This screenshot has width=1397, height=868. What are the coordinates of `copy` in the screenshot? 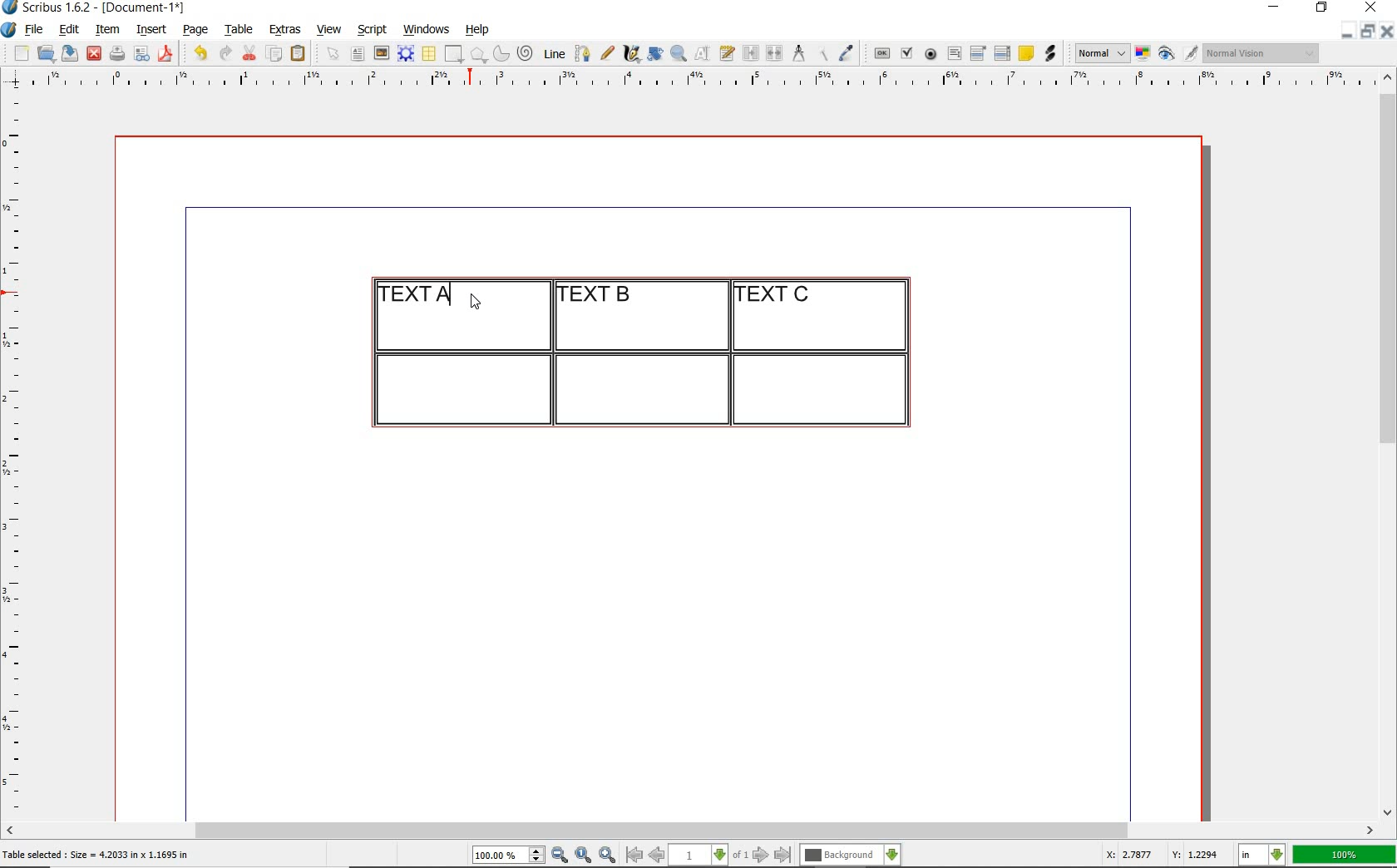 It's located at (275, 55).